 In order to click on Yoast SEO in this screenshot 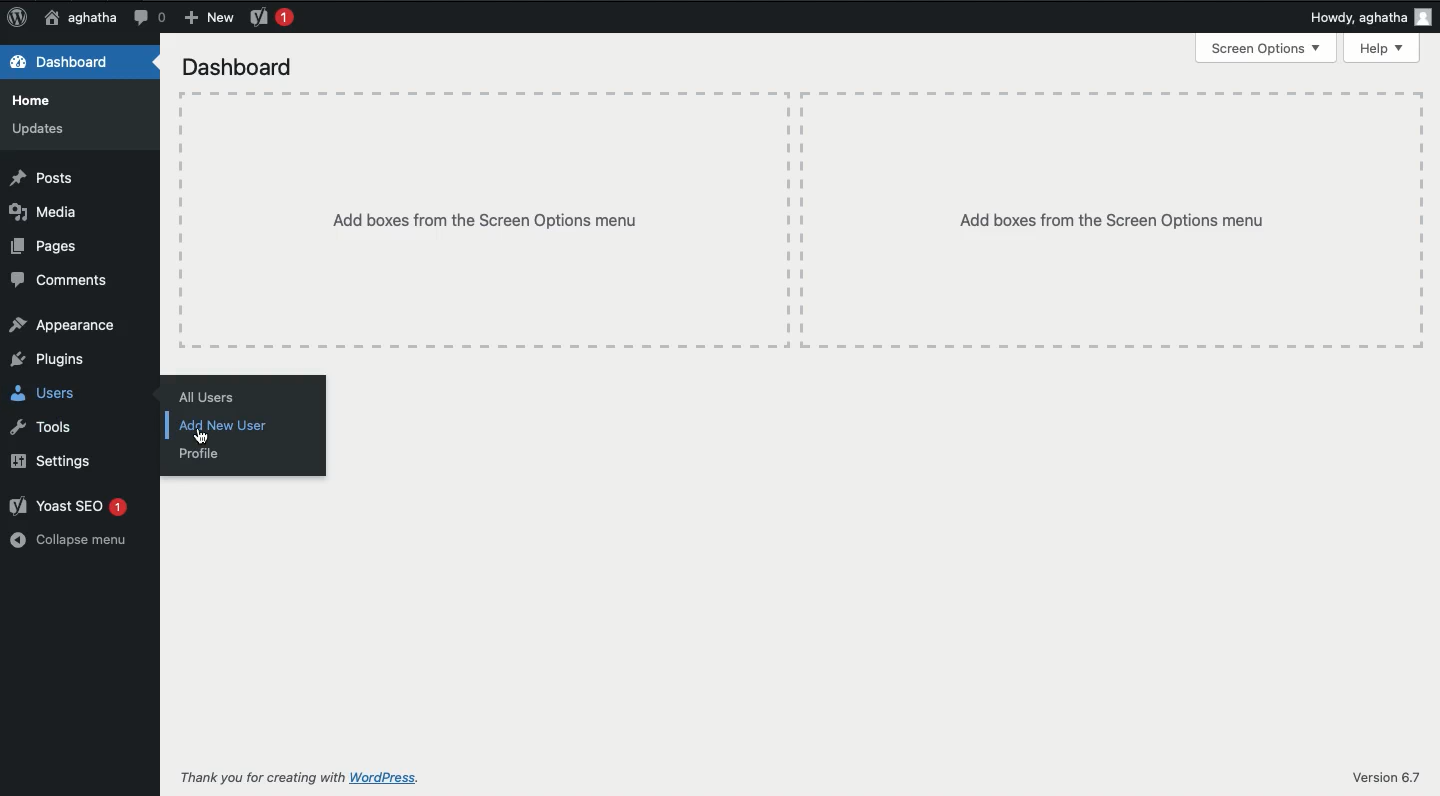, I will do `click(69, 508)`.